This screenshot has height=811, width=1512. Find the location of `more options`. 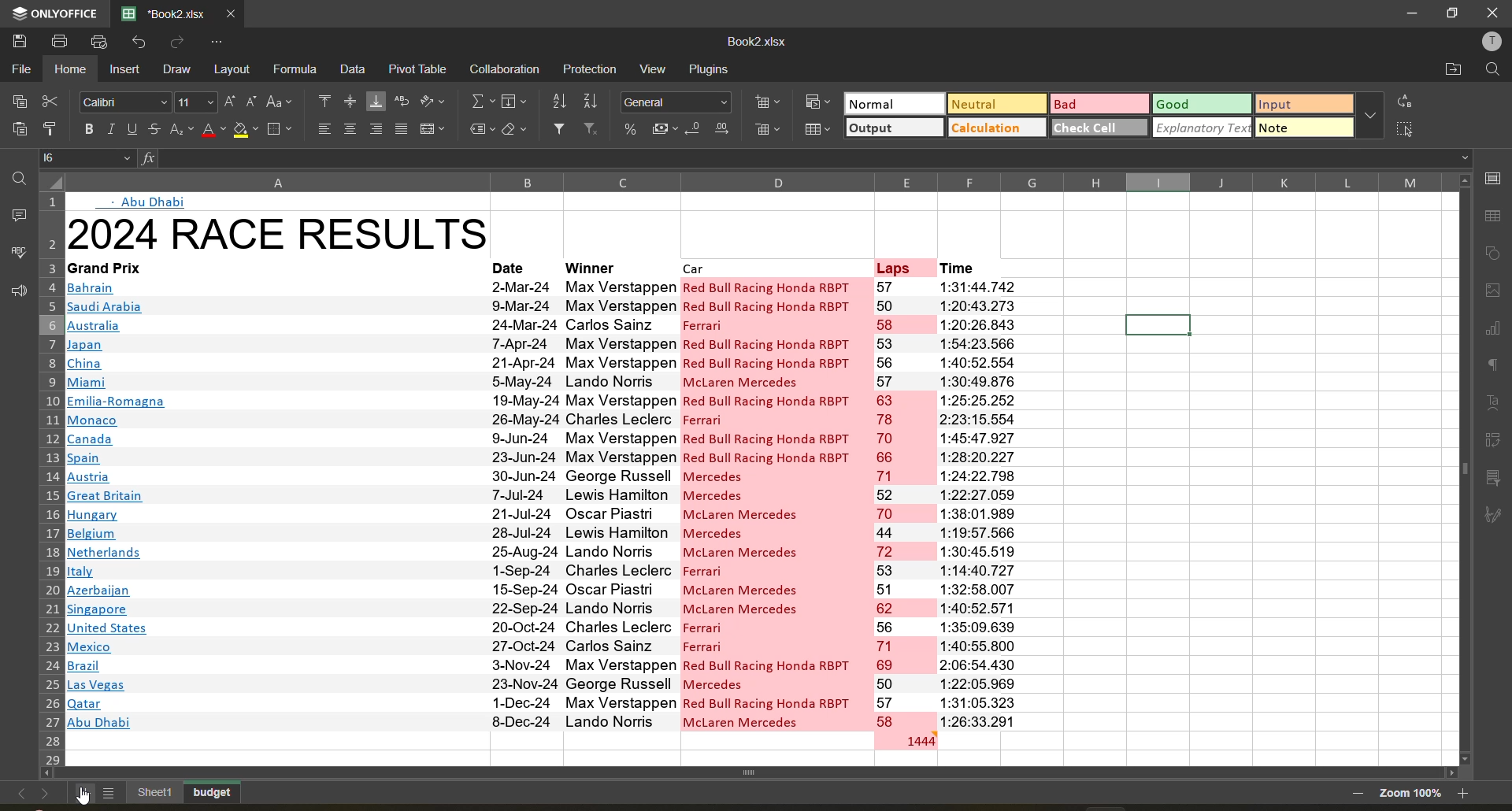

more options is located at coordinates (1371, 114).